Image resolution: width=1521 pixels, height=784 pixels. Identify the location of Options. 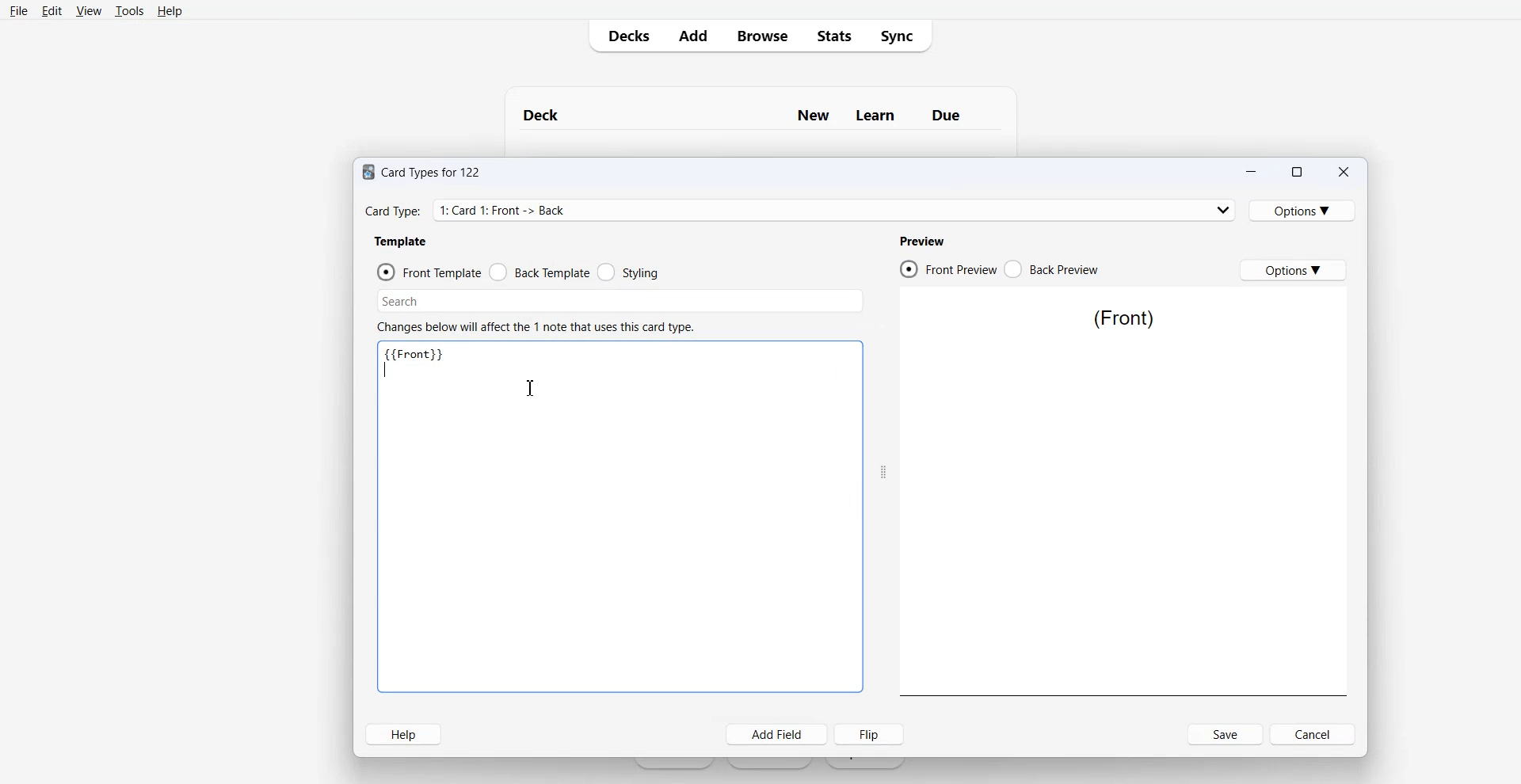
(1294, 270).